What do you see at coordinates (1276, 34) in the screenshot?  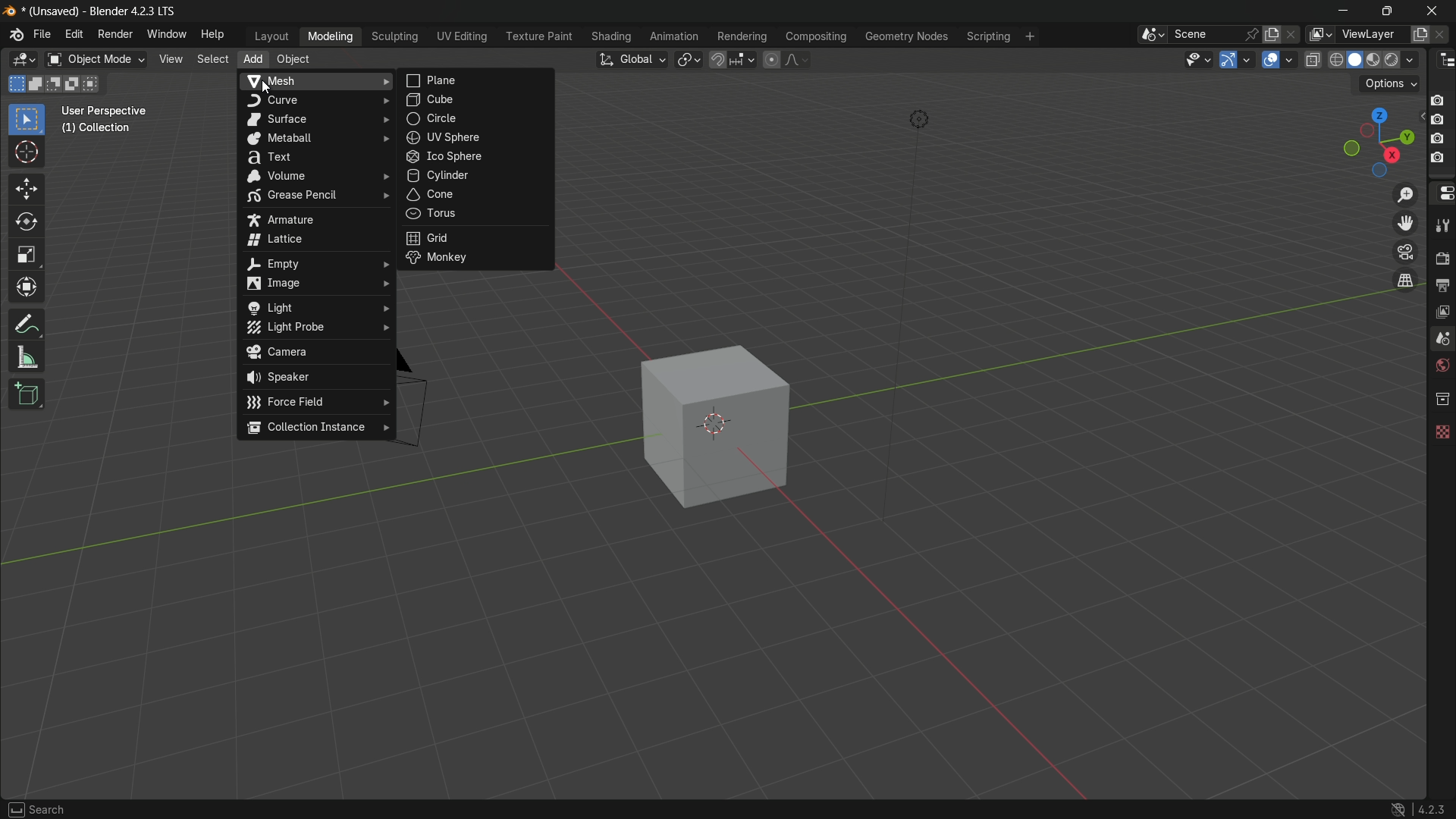 I see `new scene` at bounding box center [1276, 34].